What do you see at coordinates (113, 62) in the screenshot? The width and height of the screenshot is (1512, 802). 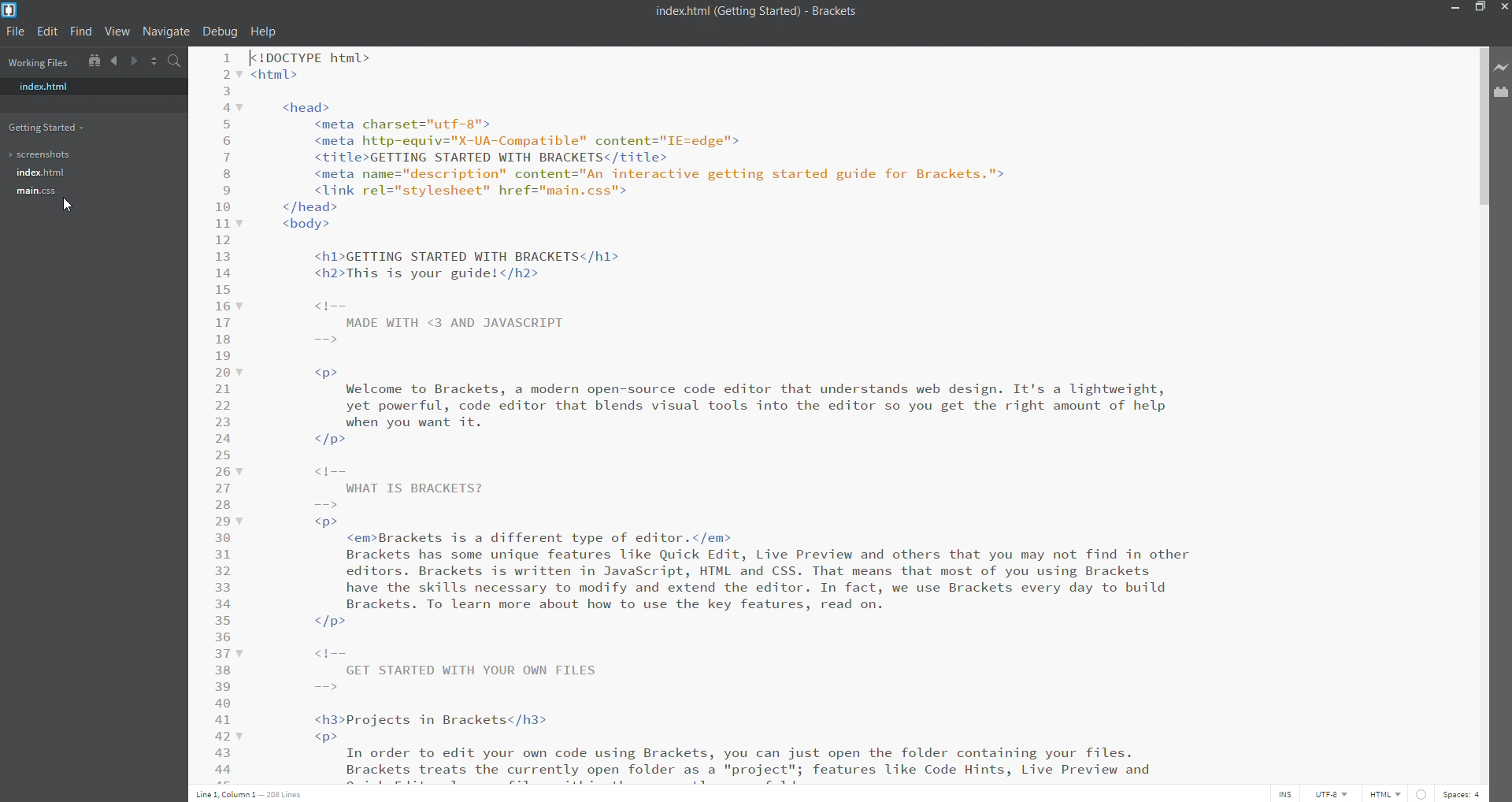 I see `navigate backward` at bounding box center [113, 62].